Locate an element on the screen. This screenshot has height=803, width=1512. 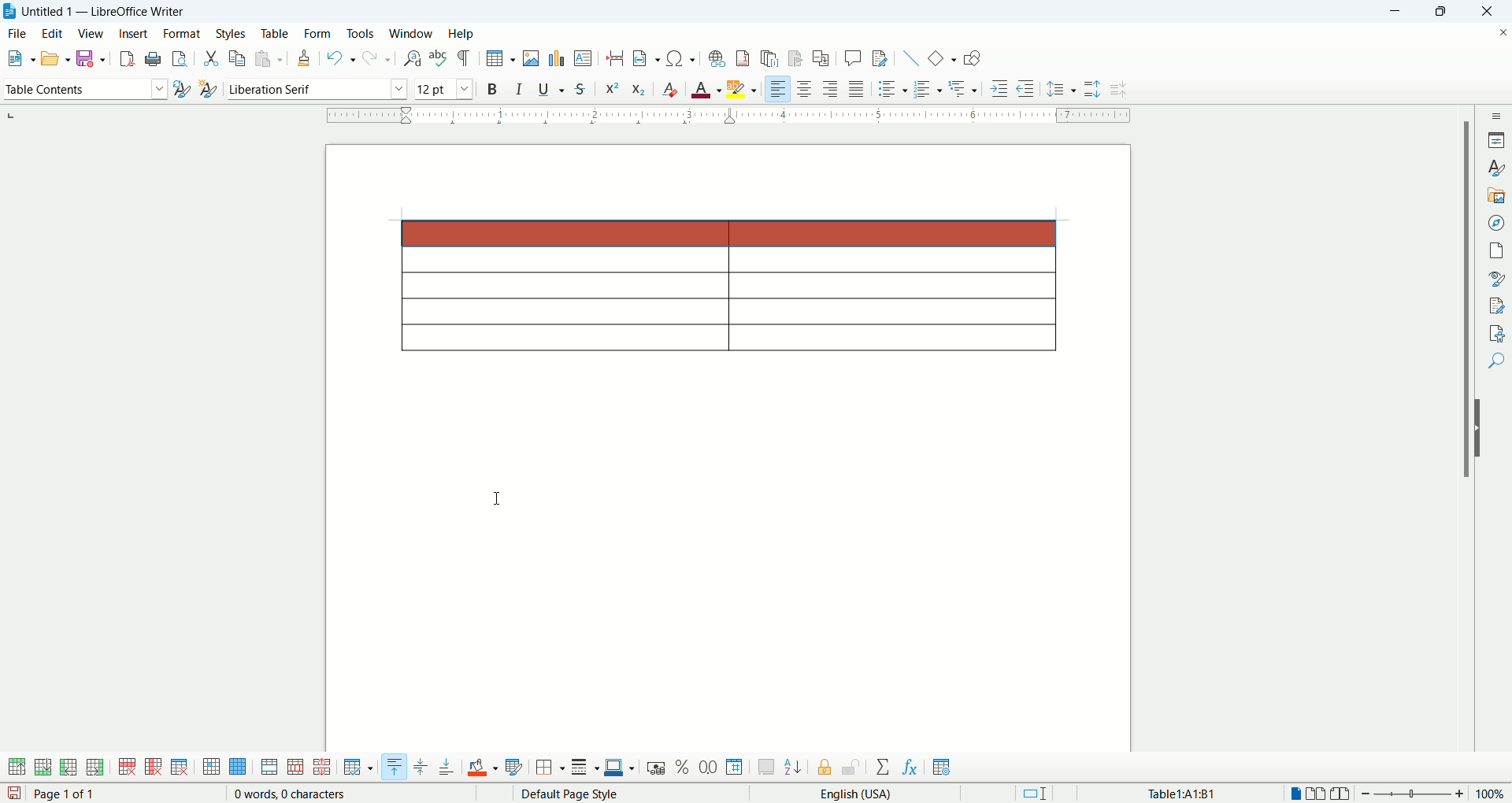
insert chart is located at coordinates (556, 57).